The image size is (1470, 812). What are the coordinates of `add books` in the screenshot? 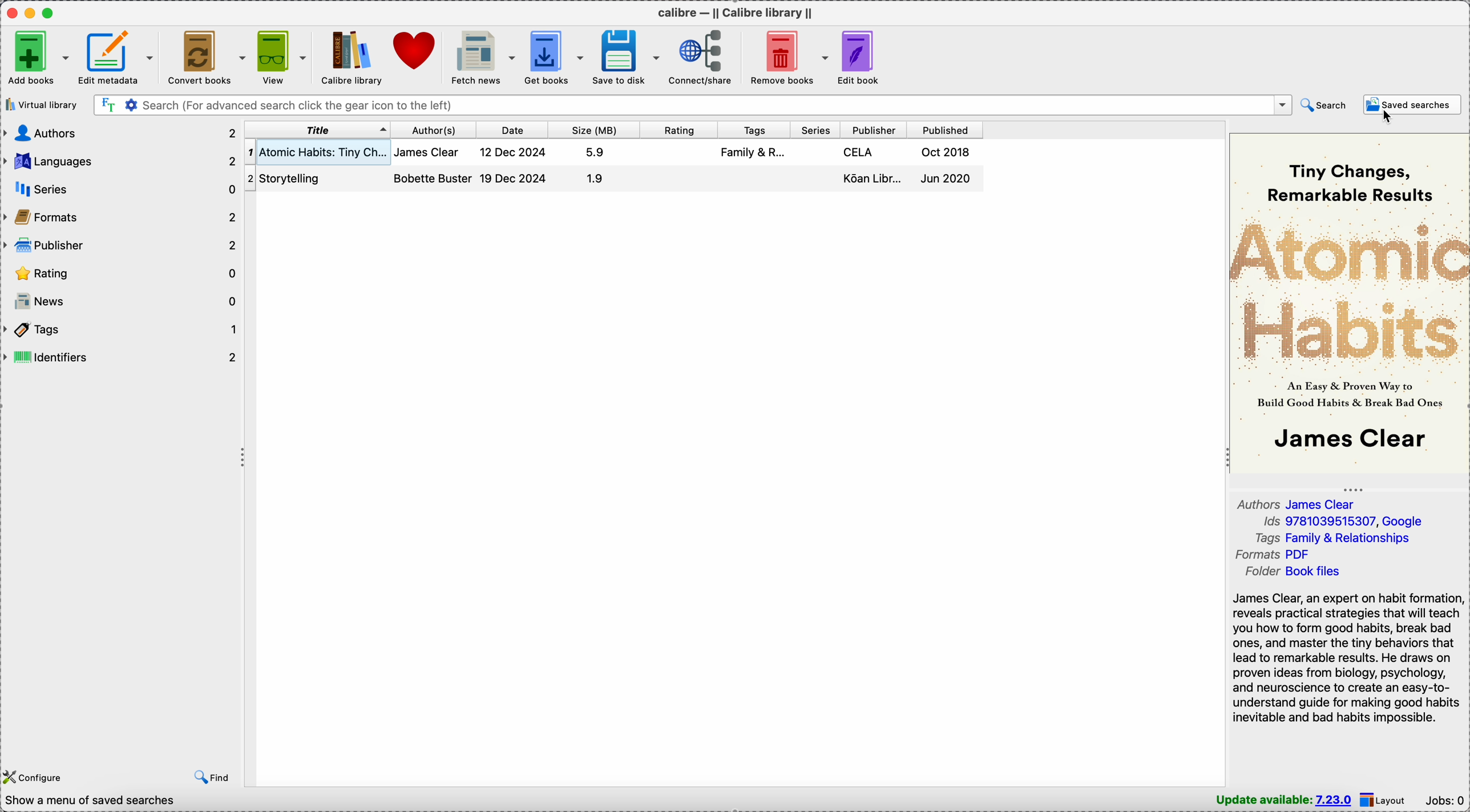 It's located at (38, 58).